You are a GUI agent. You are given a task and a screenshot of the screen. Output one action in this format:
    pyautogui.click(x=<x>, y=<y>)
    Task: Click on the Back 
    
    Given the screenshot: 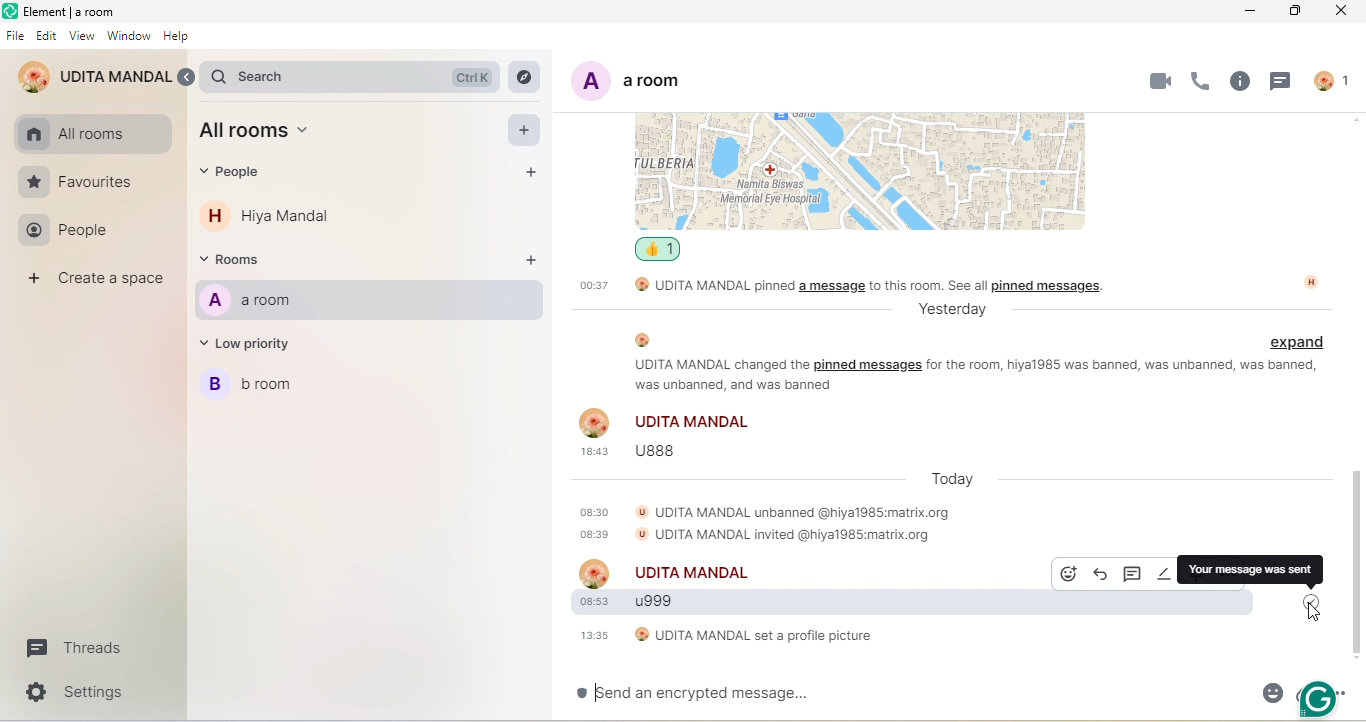 What is the action you would take?
    pyautogui.click(x=190, y=76)
    